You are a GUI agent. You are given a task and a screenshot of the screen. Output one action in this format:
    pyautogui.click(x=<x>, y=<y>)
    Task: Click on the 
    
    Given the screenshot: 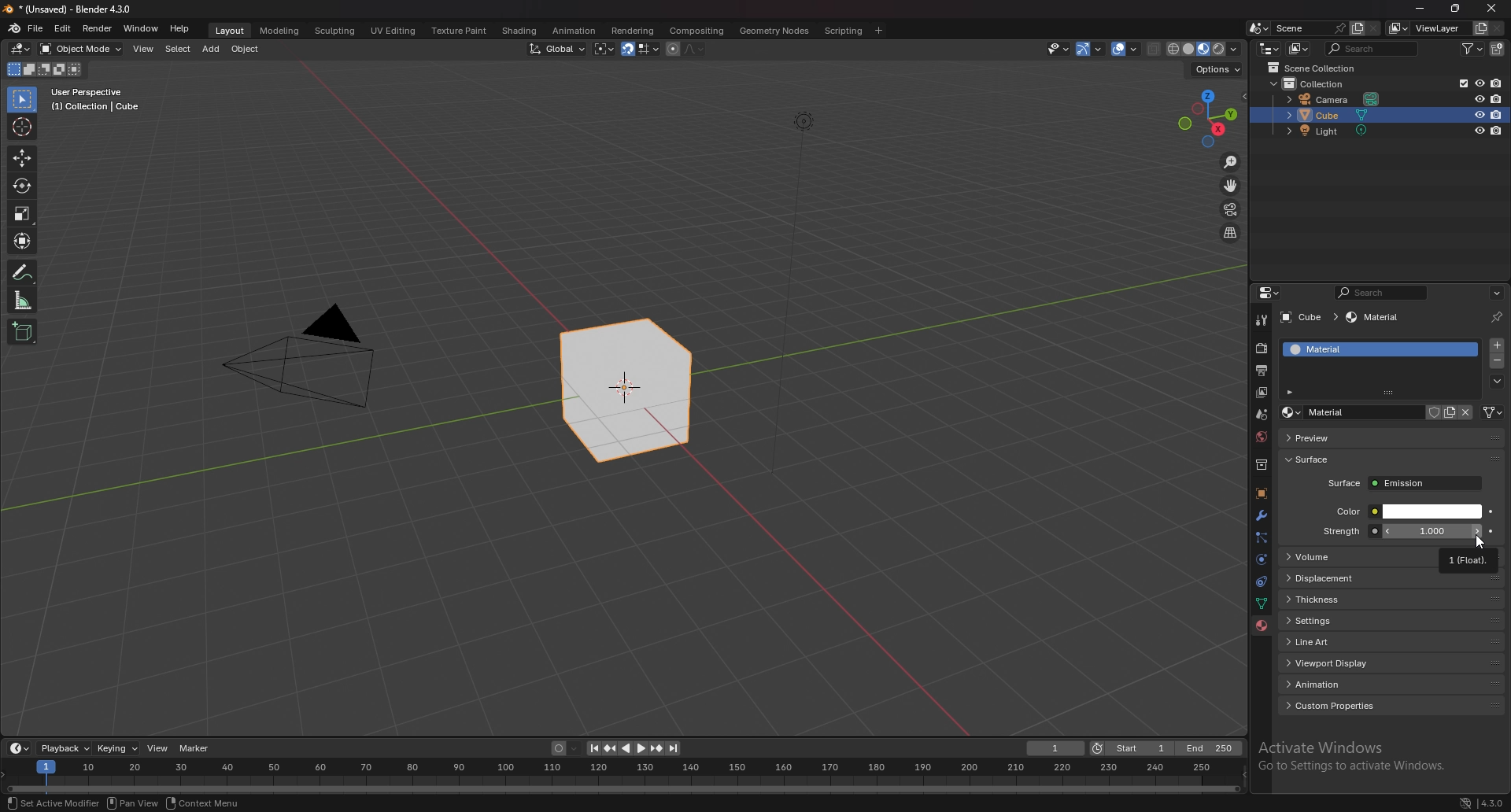 What is the action you would take?
    pyautogui.click(x=135, y=803)
    